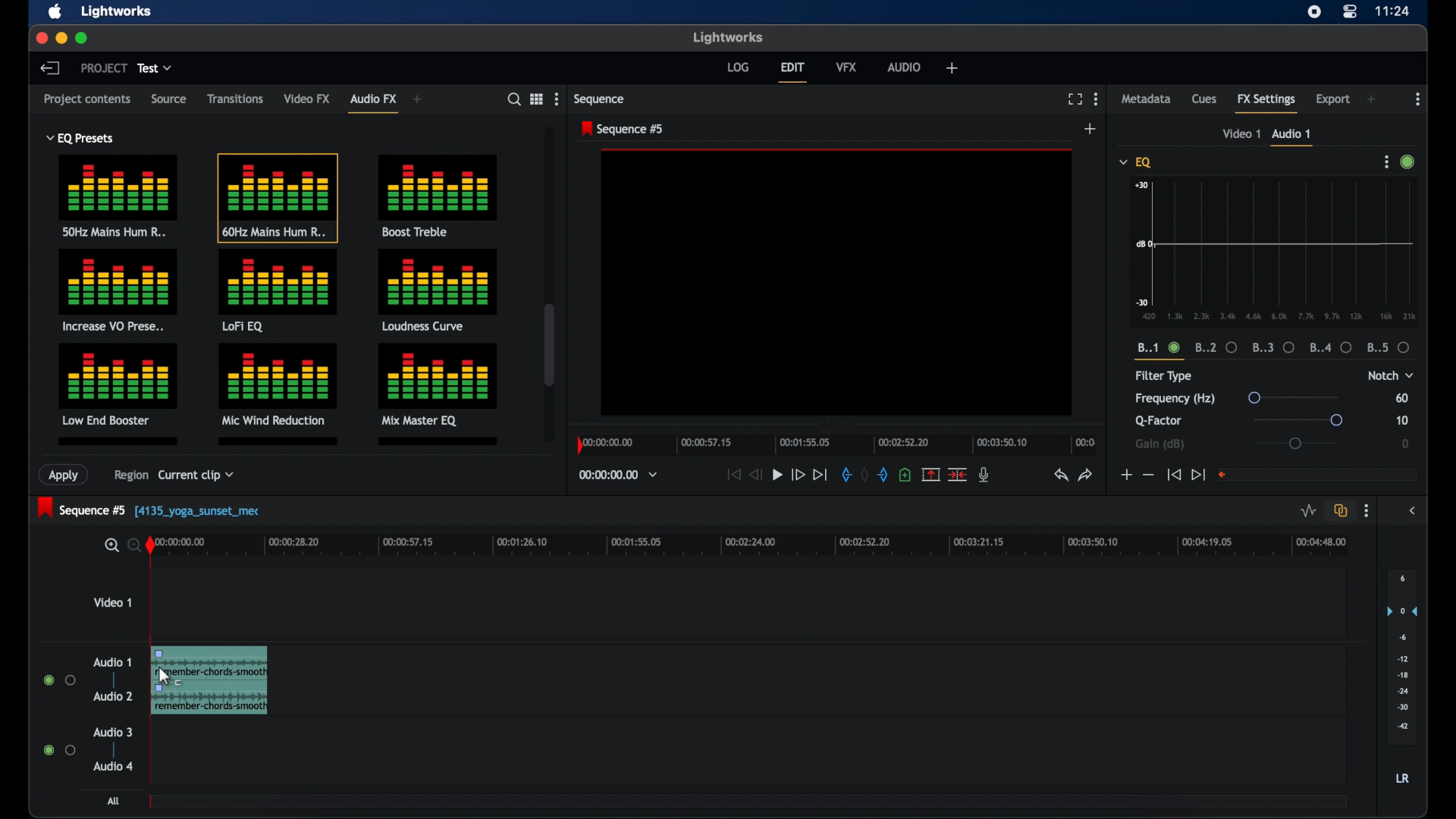 The height and width of the screenshot is (819, 1456). Describe the element at coordinates (60, 749) in the screenshot. I see `radio button` at that location.